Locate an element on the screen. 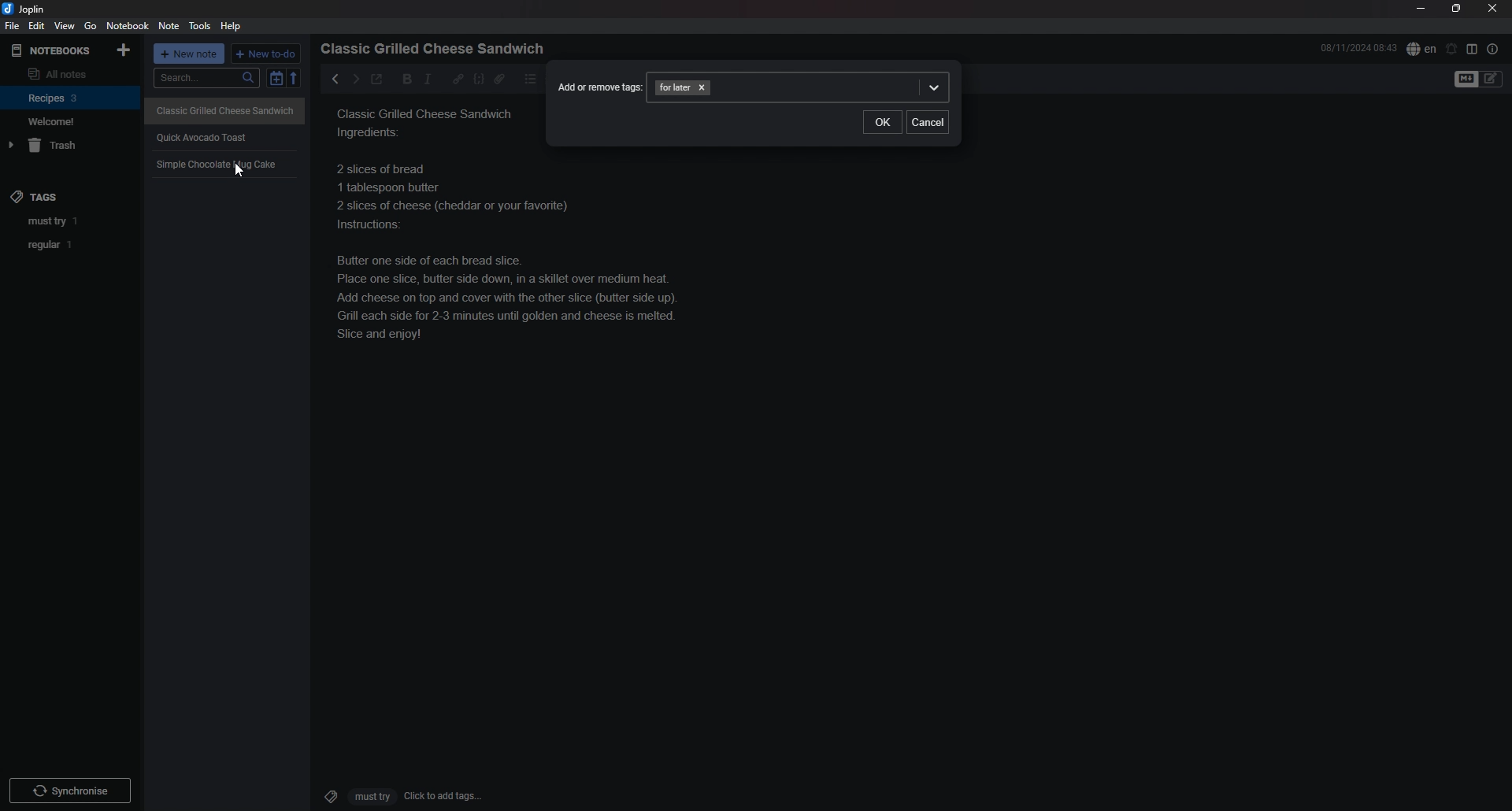 This screenshot has width=1512, height=811. notebook is located at coordinates (129, 25).